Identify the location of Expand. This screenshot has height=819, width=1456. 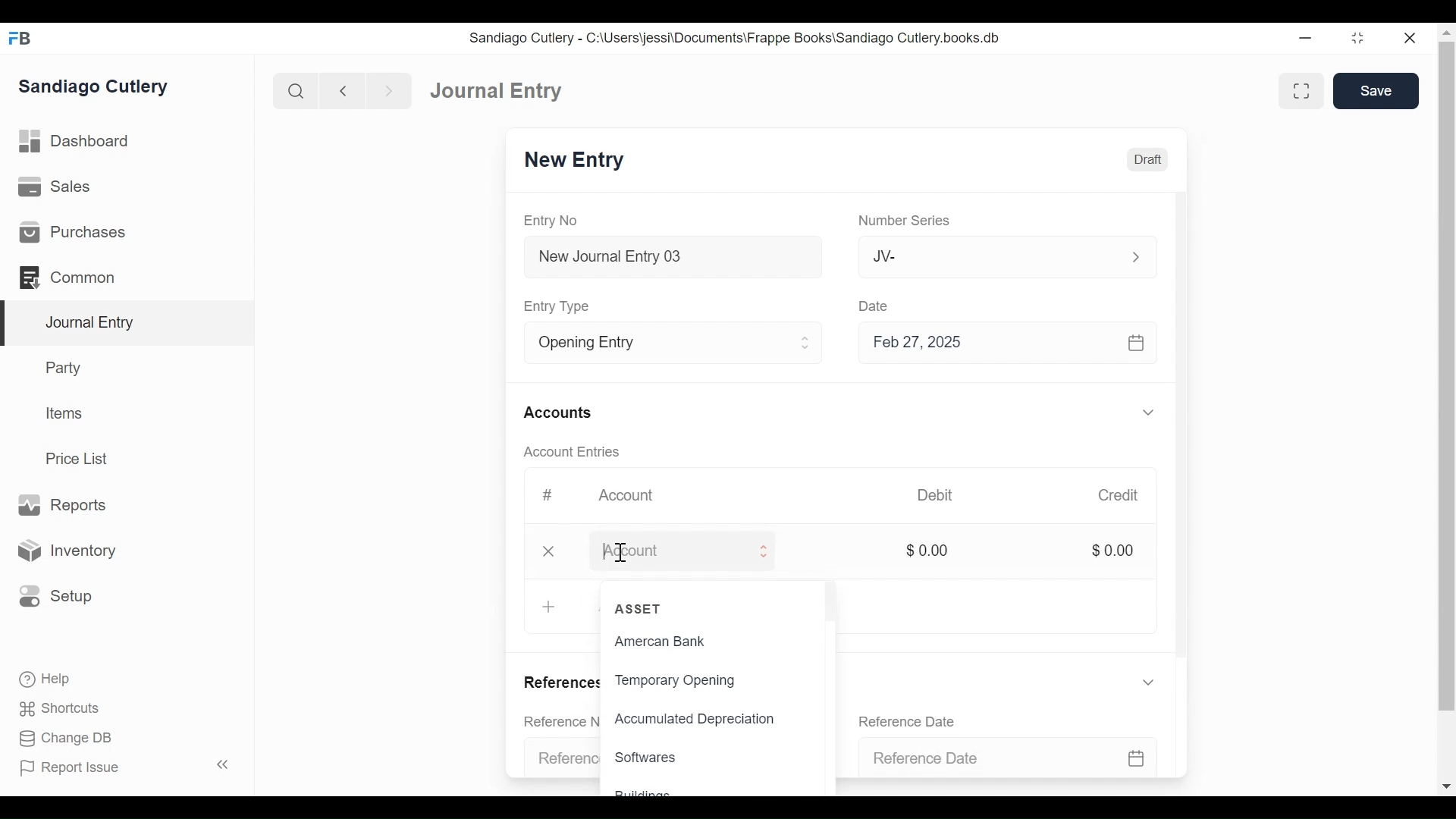
(767, 551).